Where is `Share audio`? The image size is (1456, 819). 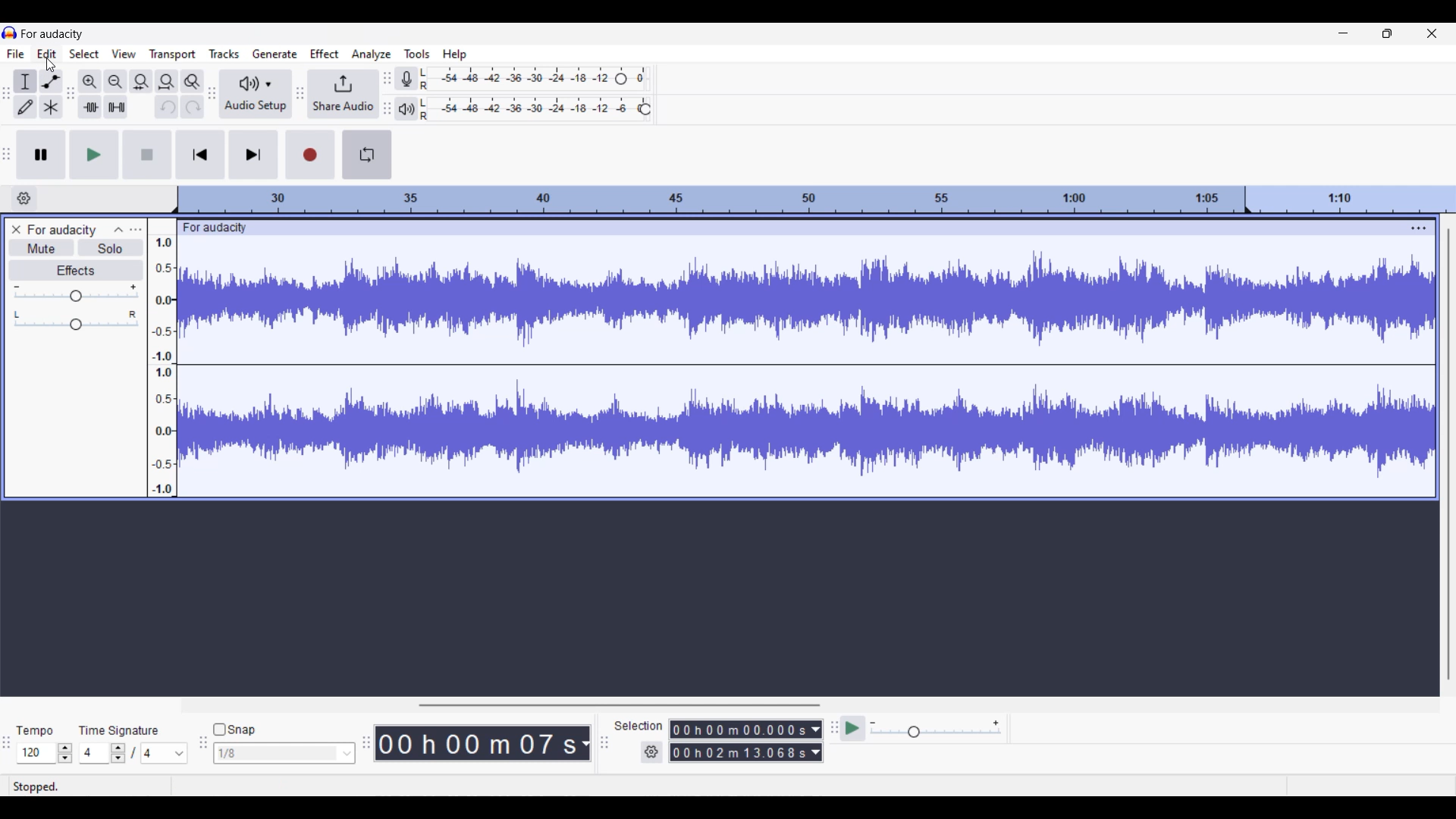
Share audio is located at coordinates (343, 95).